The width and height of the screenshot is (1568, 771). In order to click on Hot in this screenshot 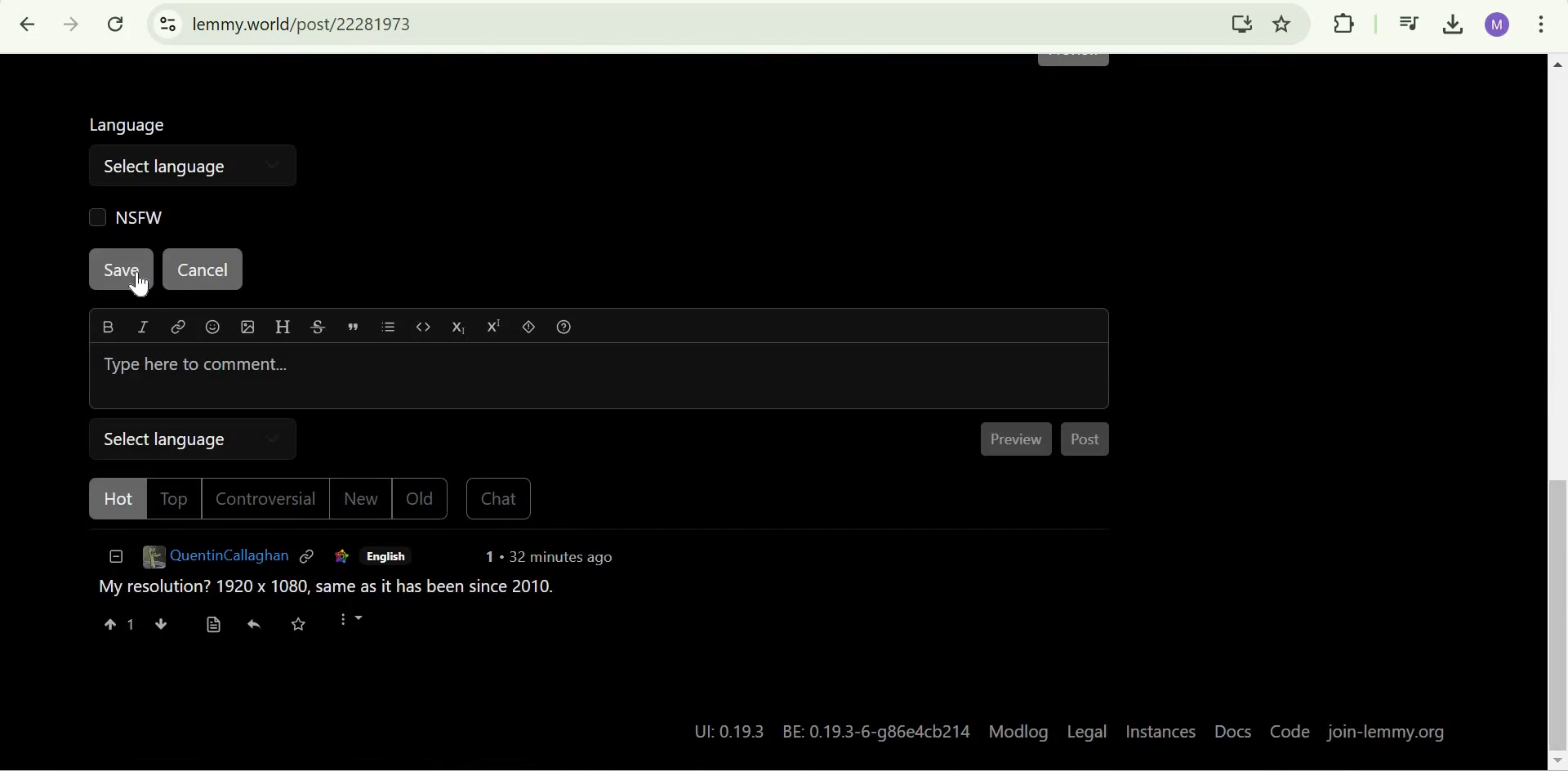, I will do `click(112, 501)`.